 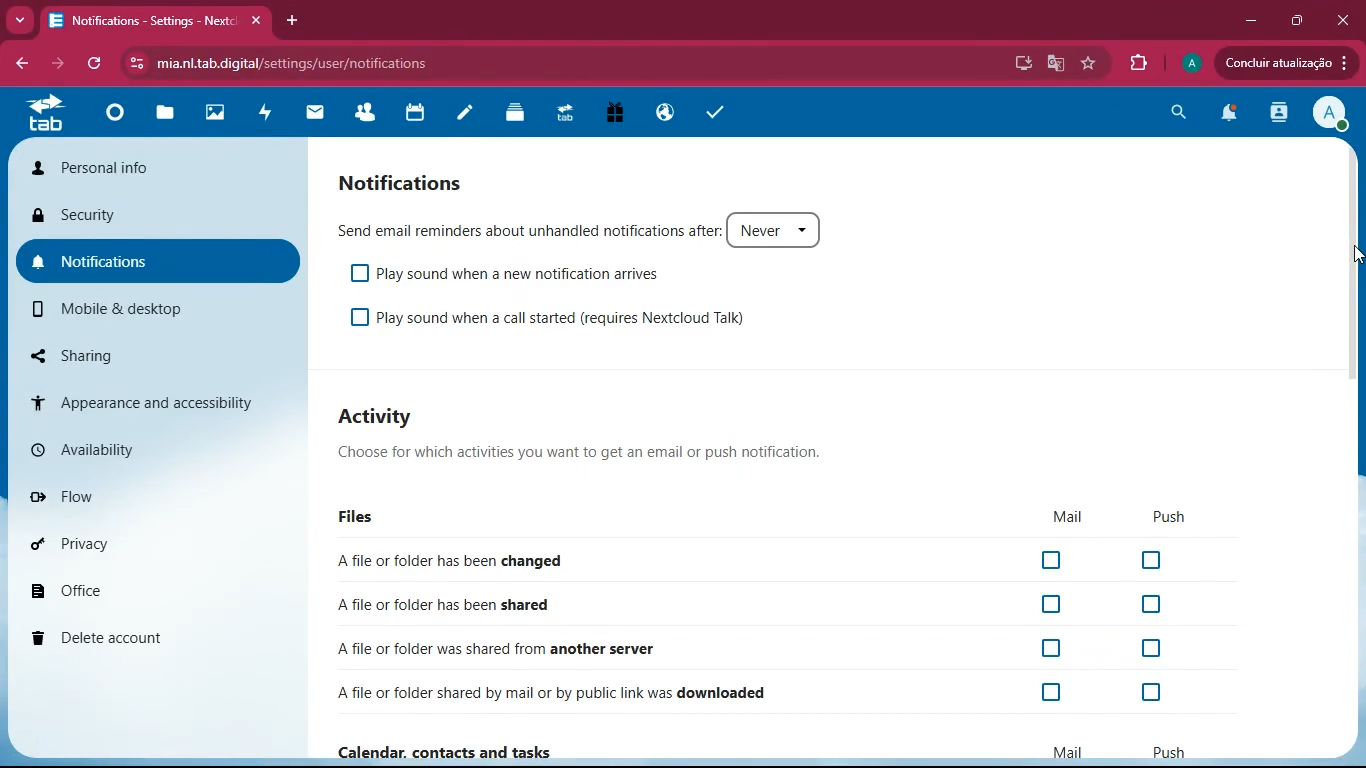 What do you see at coordinates (1331, 114) in the screenshot?
I see `View Profile` at bounding box center [1331, 114].